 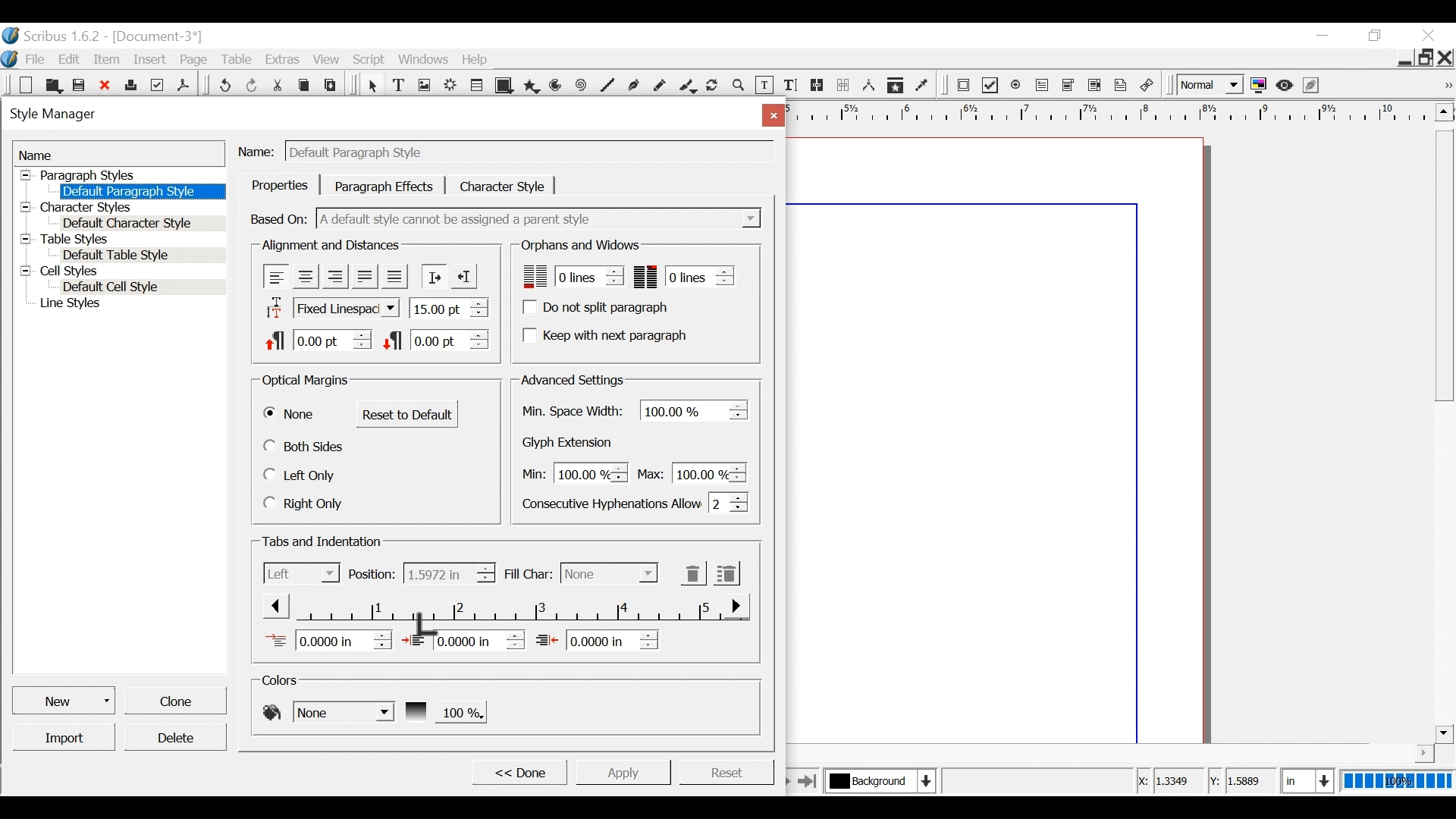 I want to click on Orphans and windows, so click(x=579, y=246).